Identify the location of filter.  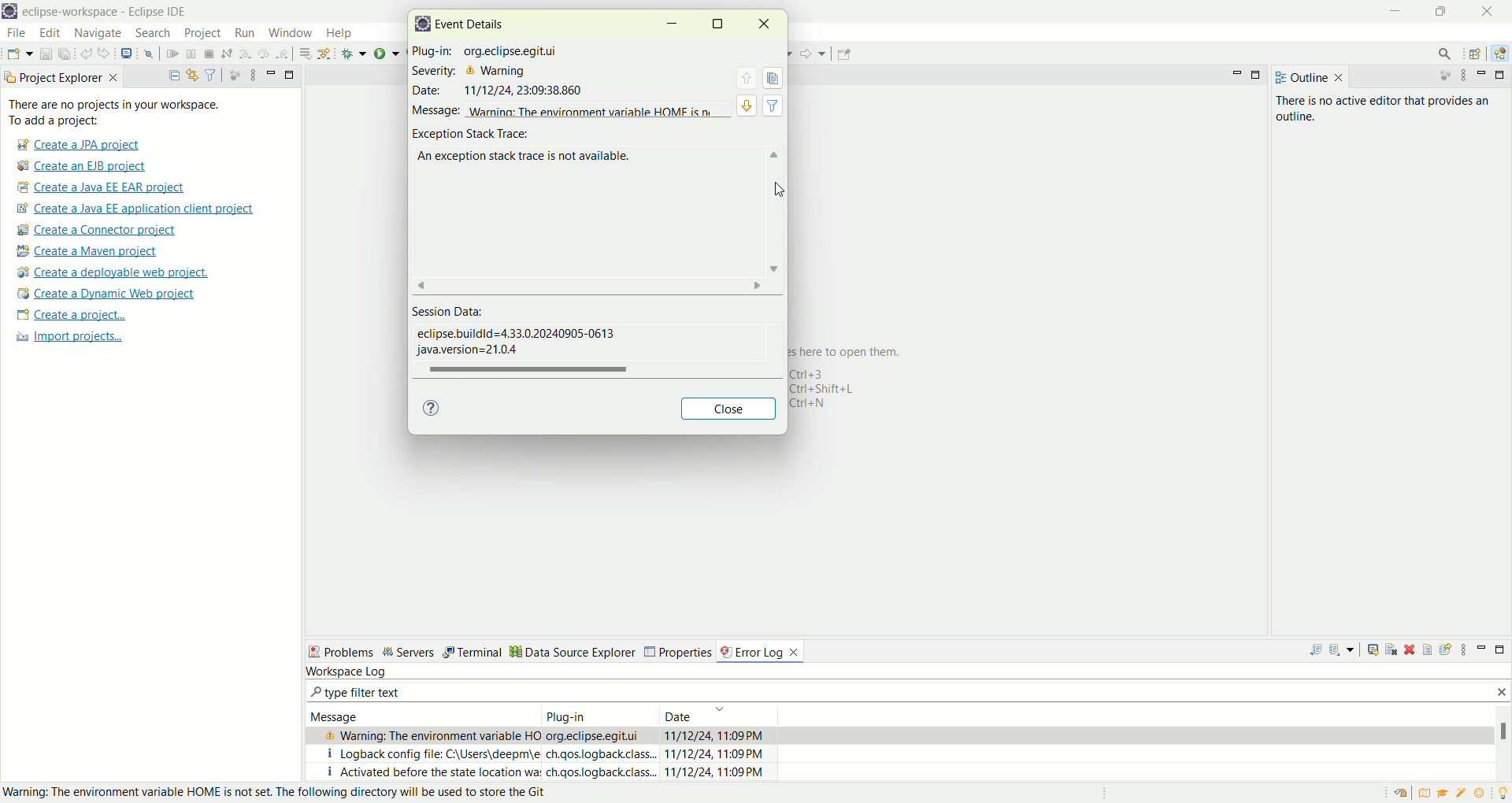
(774, 106).